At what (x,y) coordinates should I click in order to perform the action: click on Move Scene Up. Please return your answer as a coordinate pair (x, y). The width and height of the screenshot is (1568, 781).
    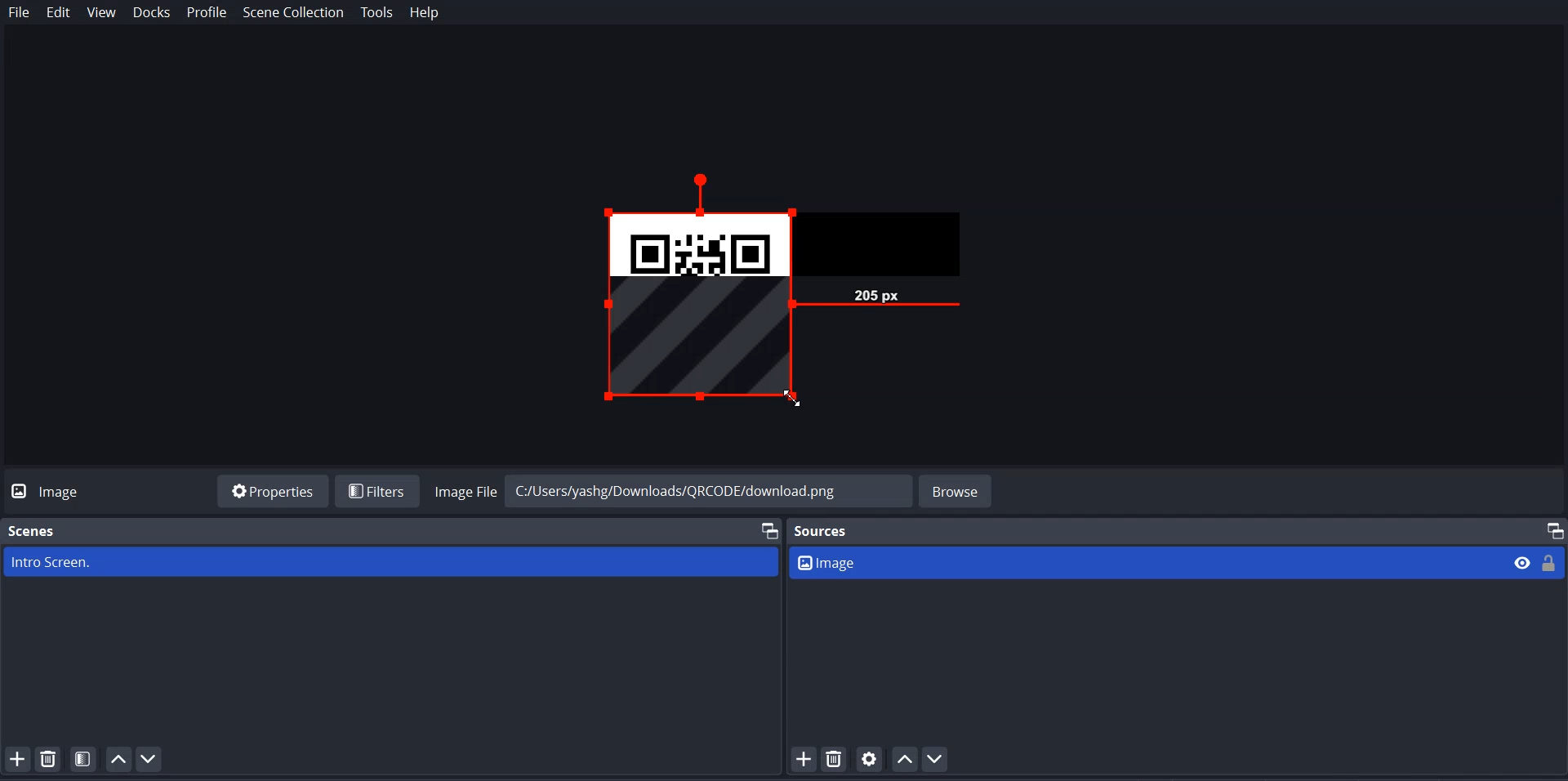
    Looking at the image, I should click on (118, 758).